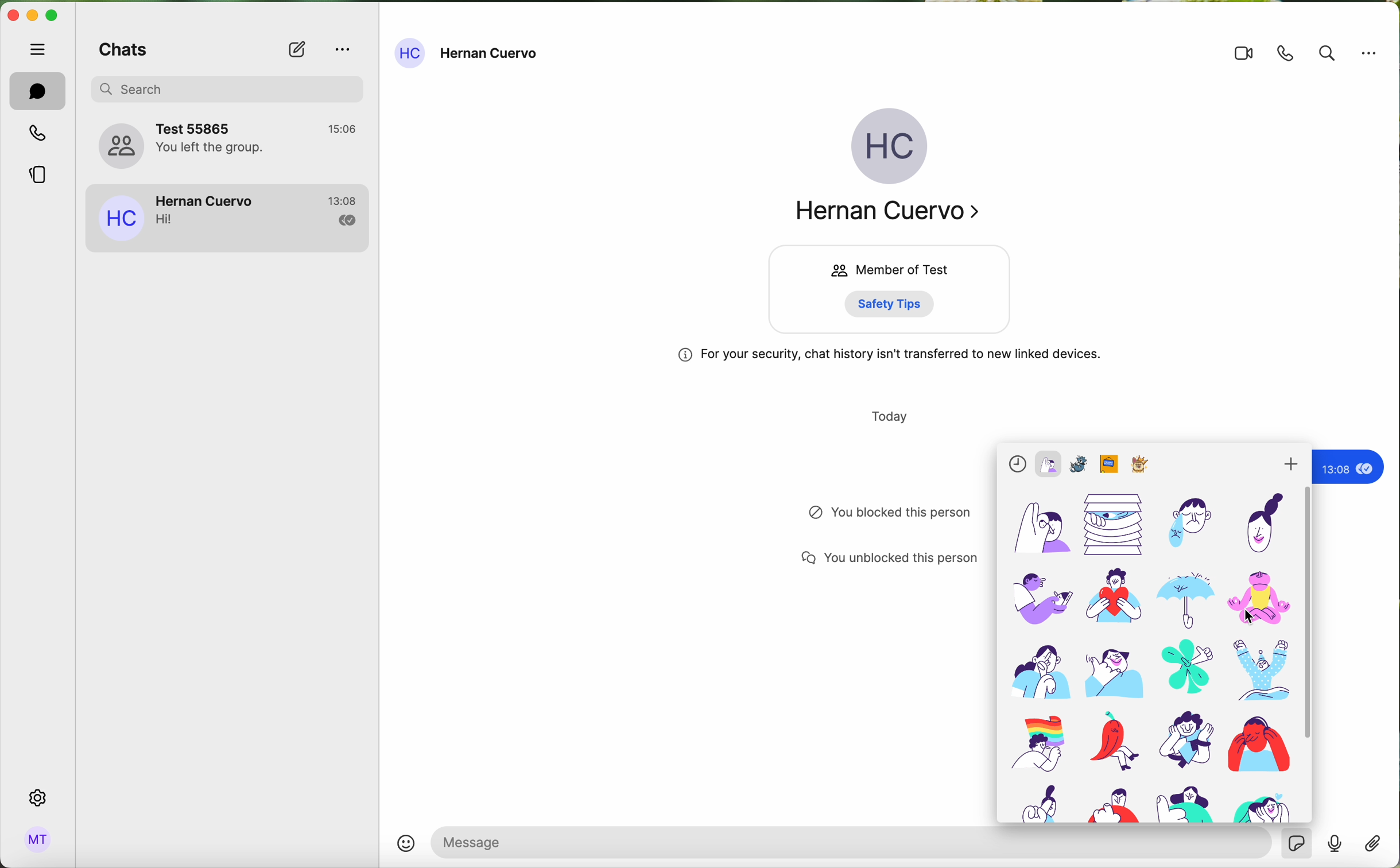 Image resolution: width=1400 pixels, height=868 pixels. What do you see at coordinates (888, 356) in the screenshot?
I see `safety message` at bounding box center [888, 356].